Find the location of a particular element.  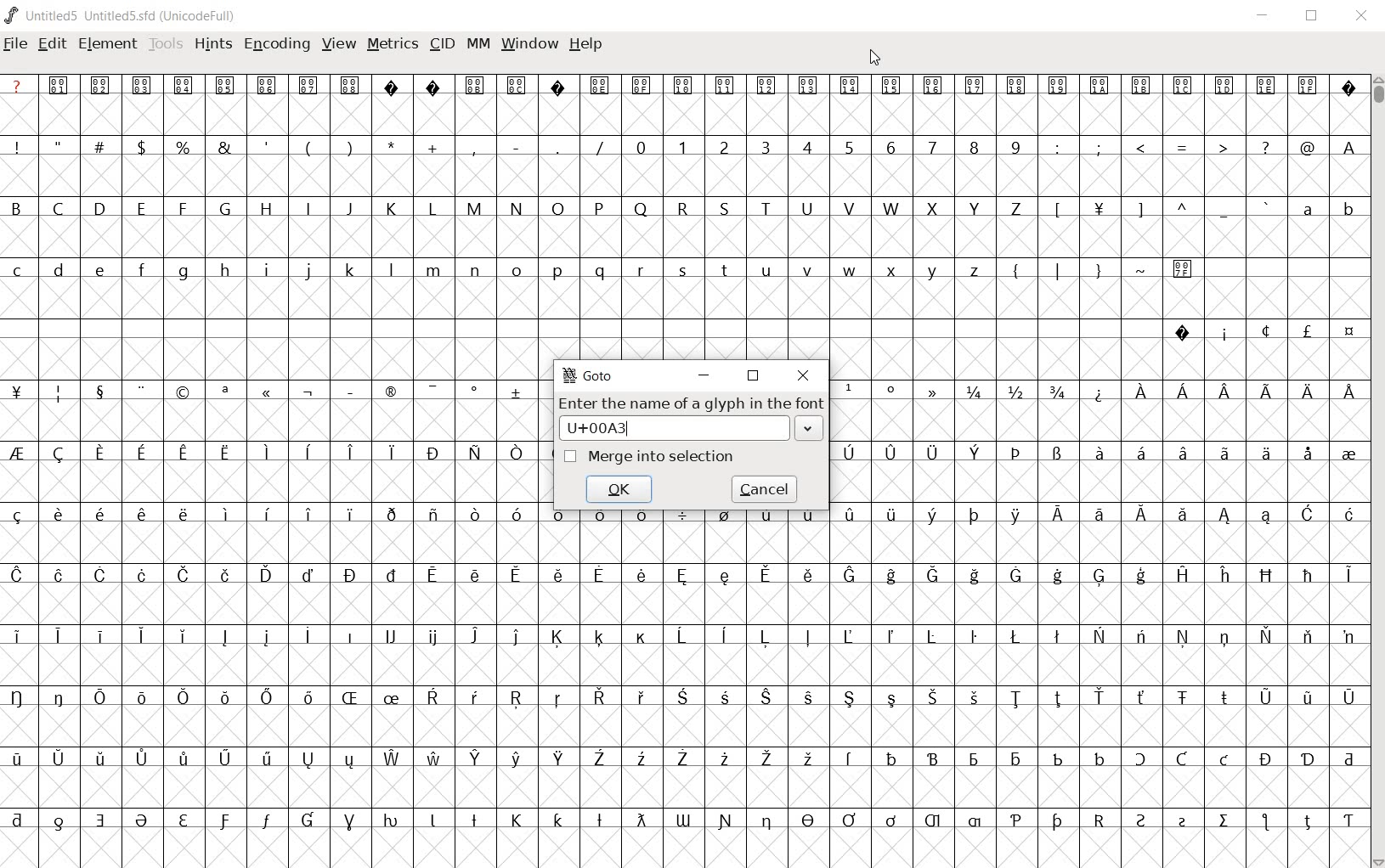

GoTo is located at coordinates (591, 377).